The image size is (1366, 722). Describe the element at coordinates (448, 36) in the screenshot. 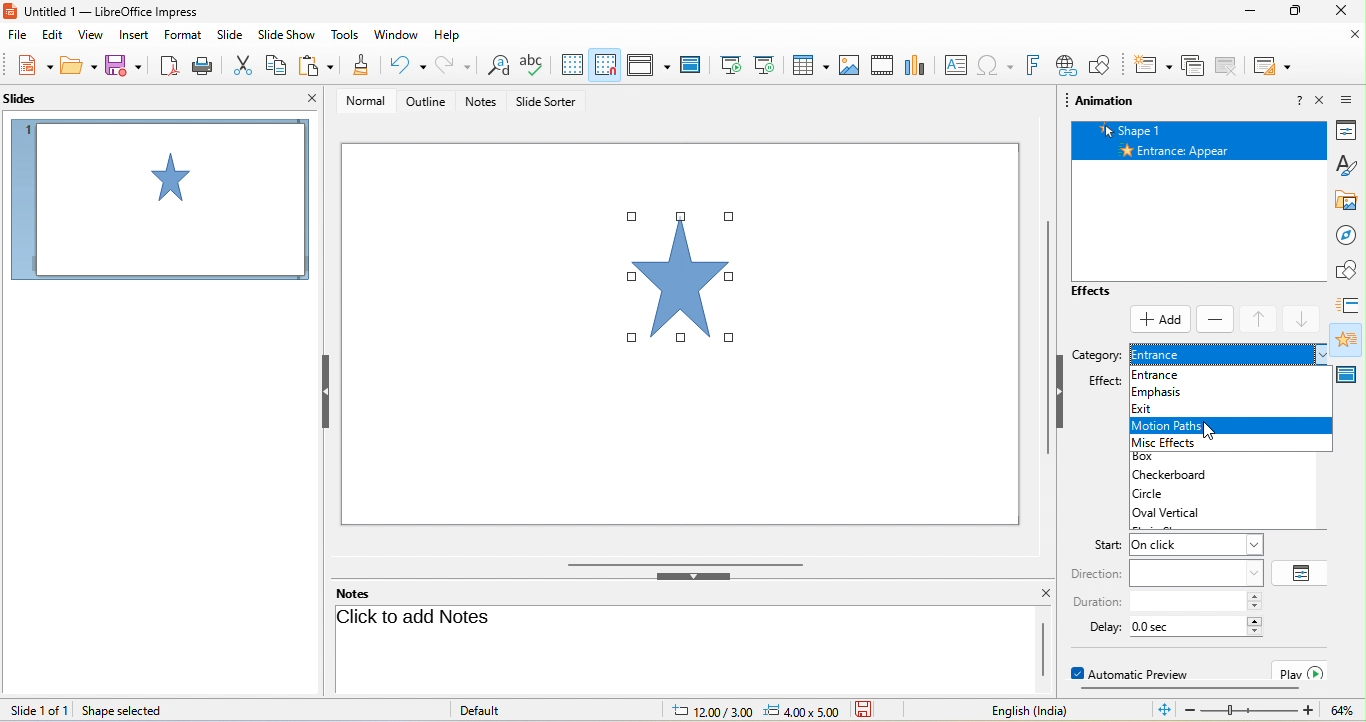

I see `help` at that location.